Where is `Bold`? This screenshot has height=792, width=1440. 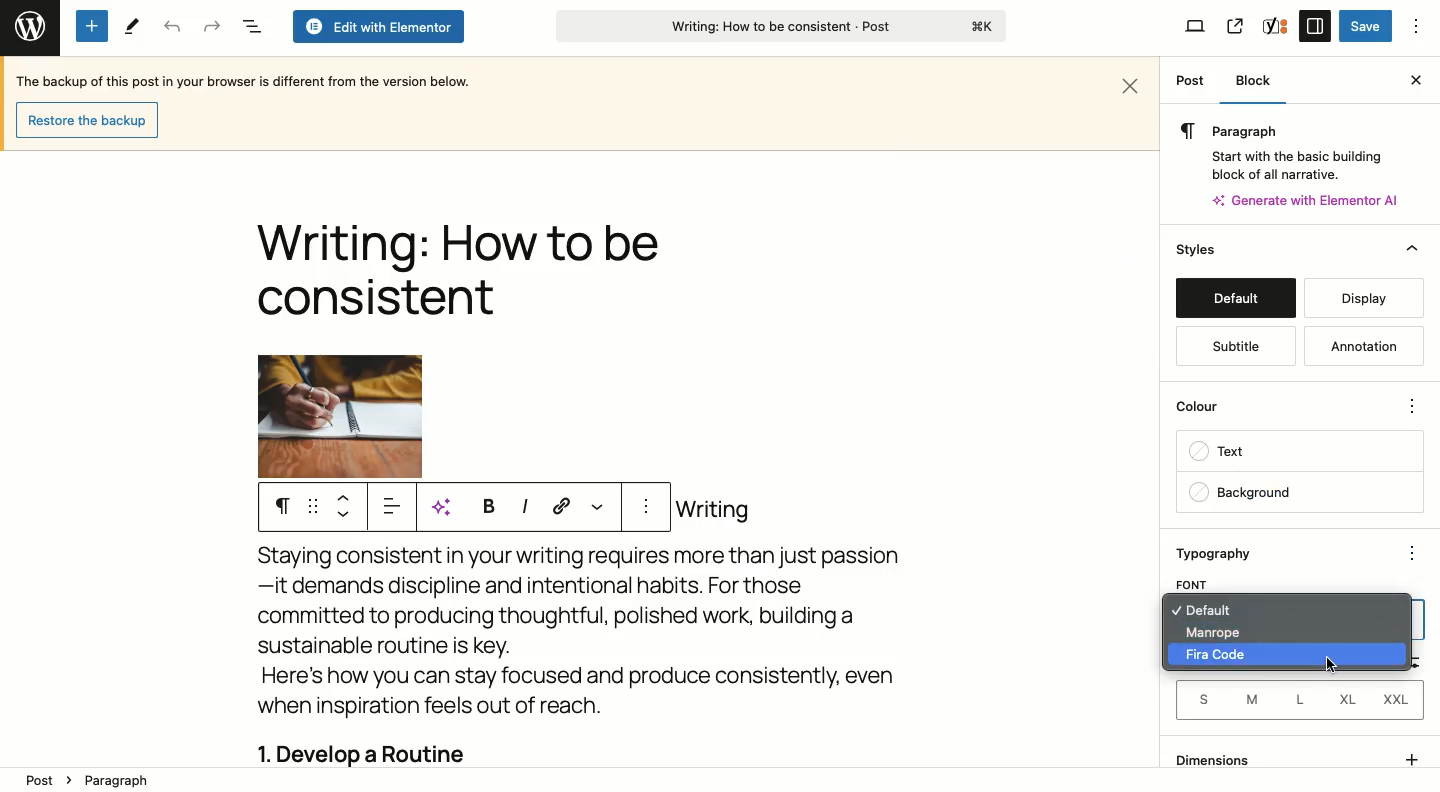 Bold is located at coordinates (486, 505).